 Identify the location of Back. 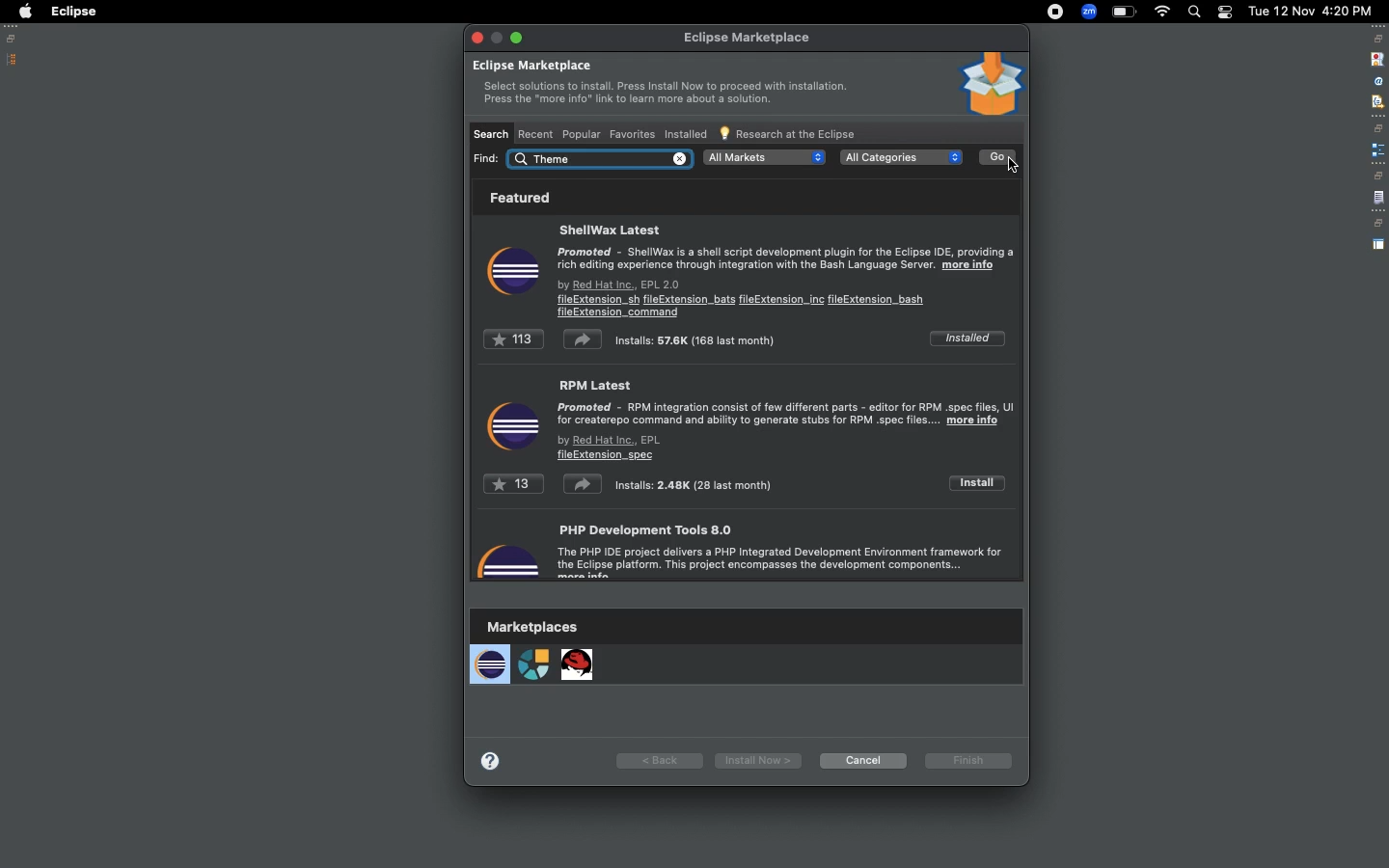
(659, 759).